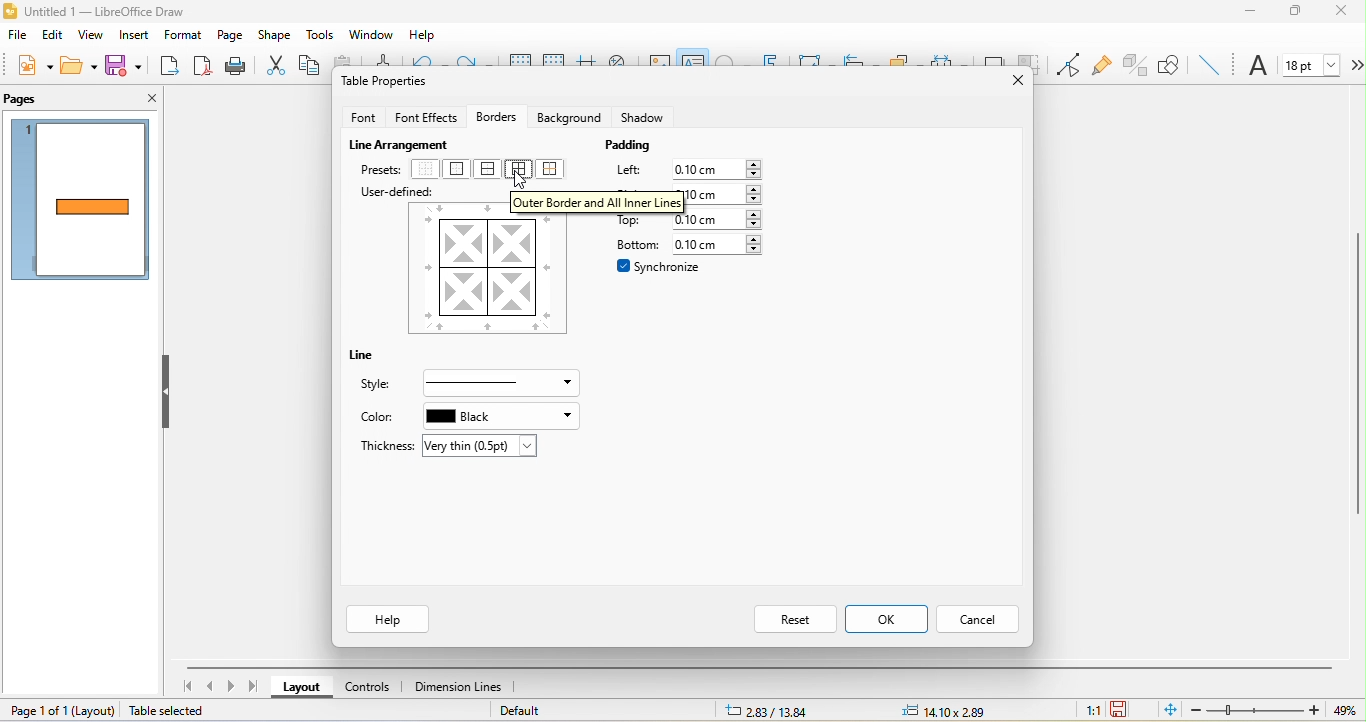  What do you see at coordinates (1083, 710) in the screenshot?
I see `1:1` at bounding box center [1083, 710].